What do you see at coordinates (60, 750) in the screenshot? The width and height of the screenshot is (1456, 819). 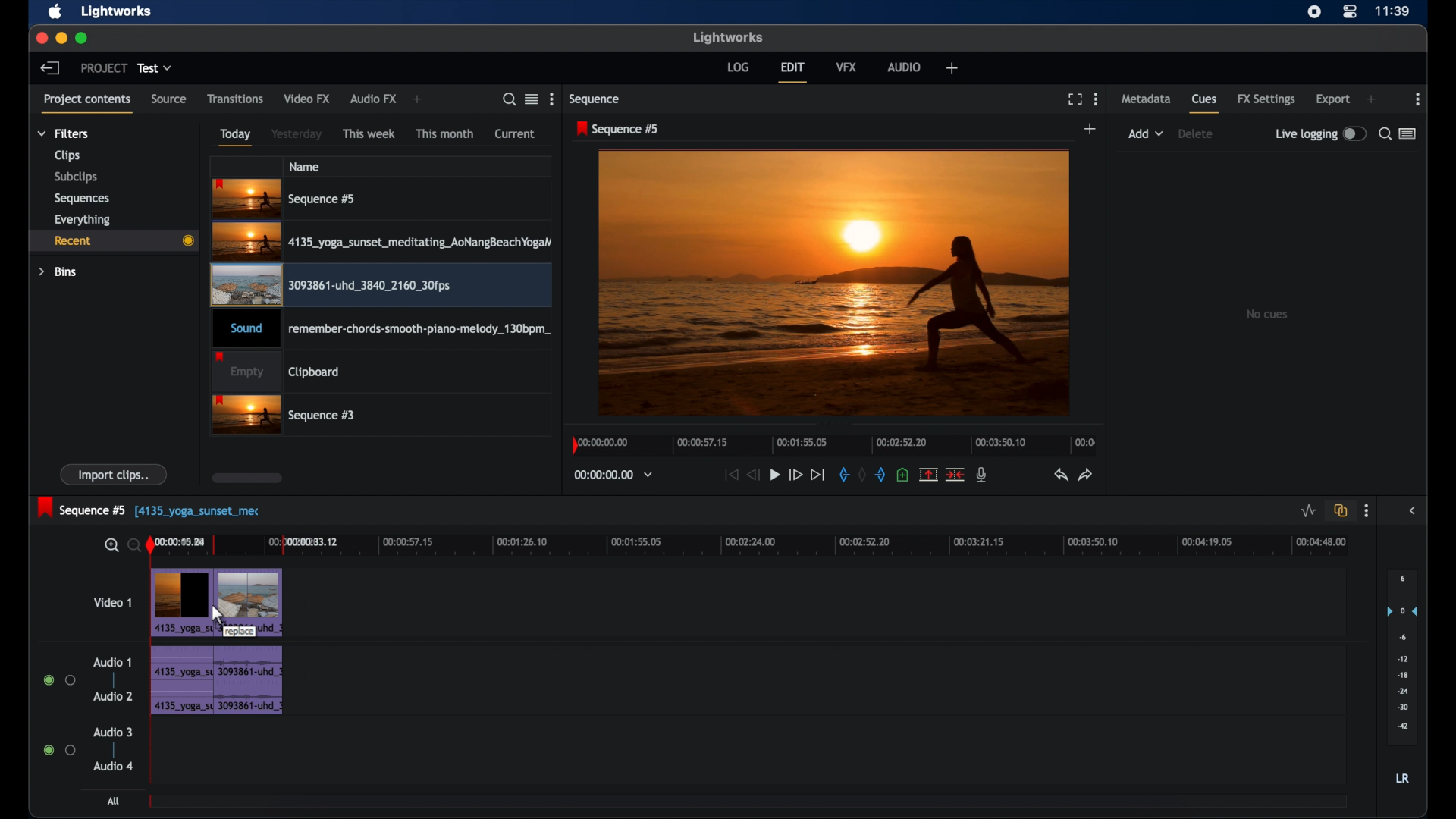 I see `radio  buttons` at bounding box center [60, 750].